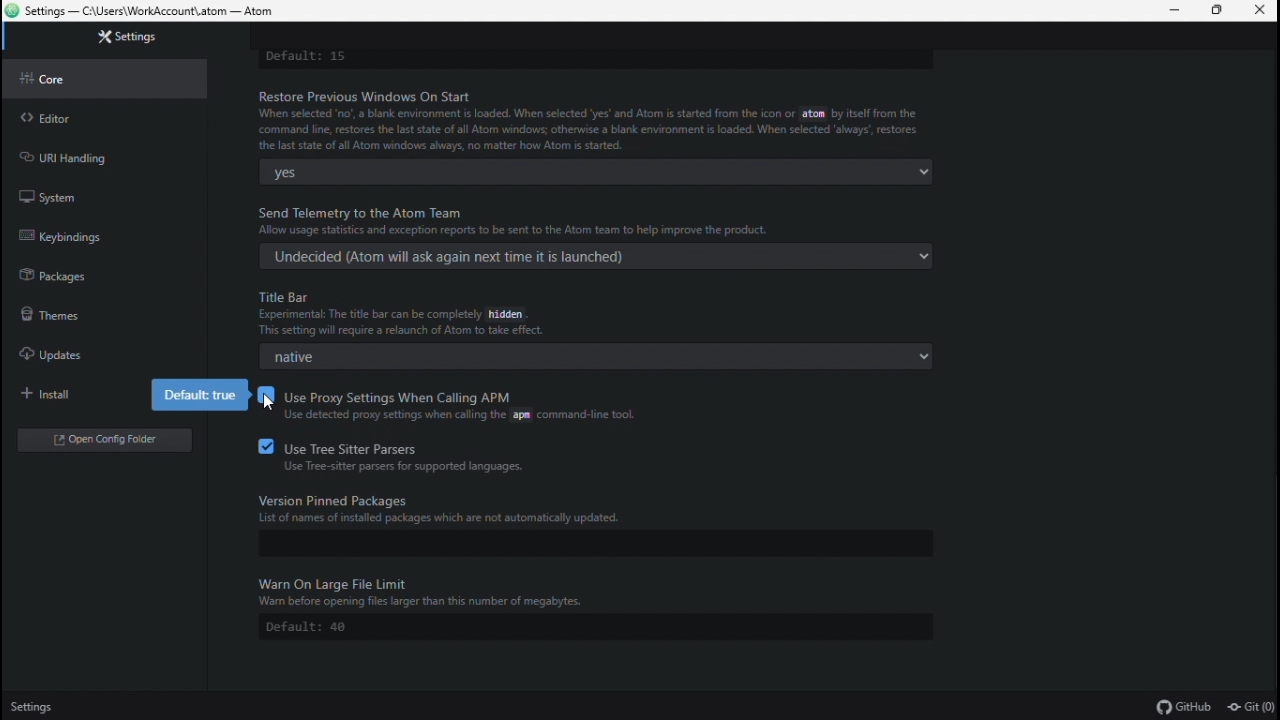 The width and height of the screenshot is (1280, 720). Describe the element at coordinates (102, 79) in the screenshot. I see `Core settings` at that location.